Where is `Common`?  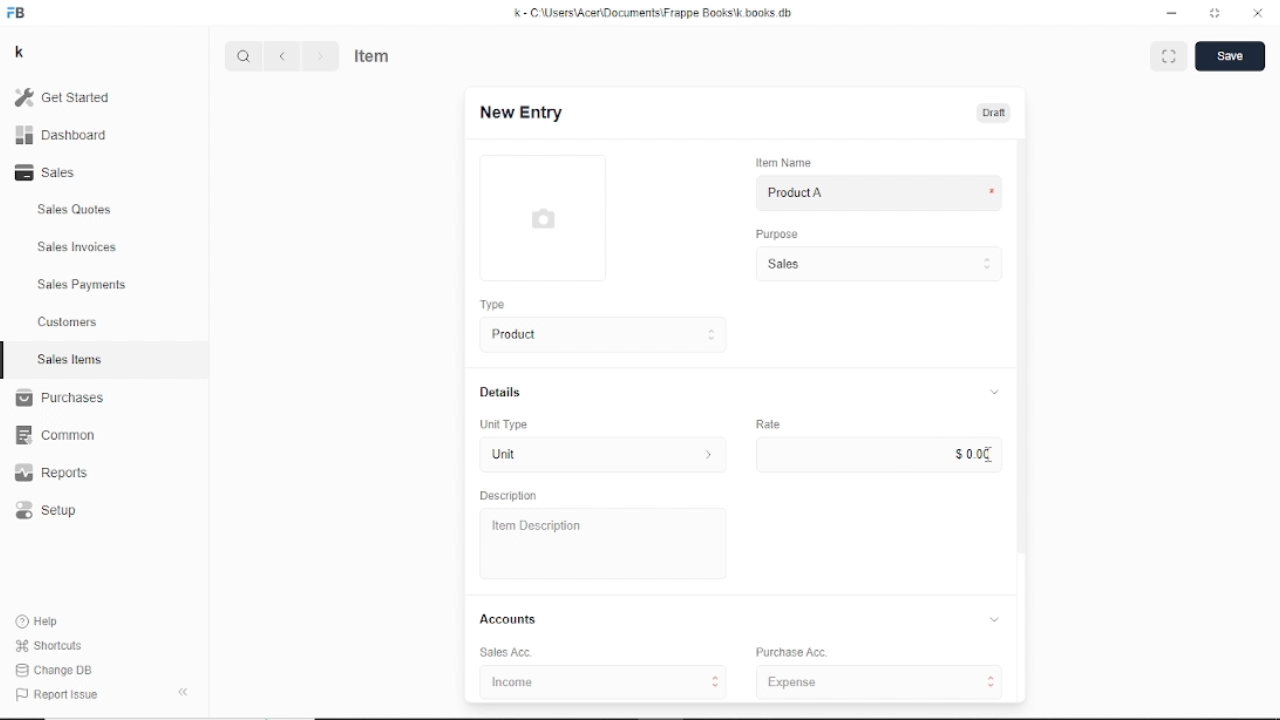 Common is located at coordinates (55, 436).